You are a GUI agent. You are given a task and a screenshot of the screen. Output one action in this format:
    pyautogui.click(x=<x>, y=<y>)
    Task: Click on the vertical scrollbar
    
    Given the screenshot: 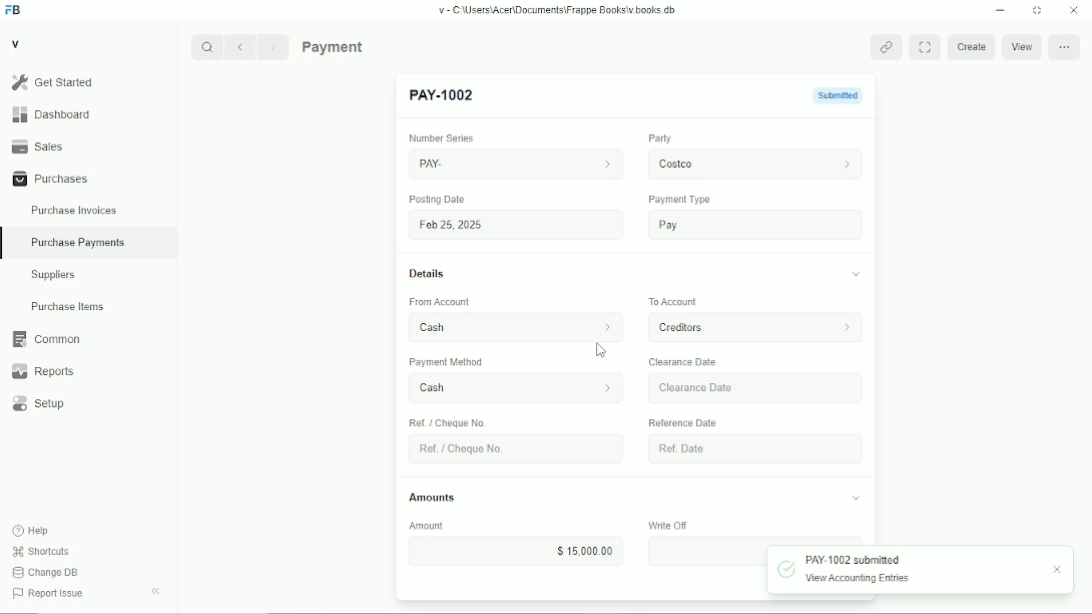 What is the action you would take?
    pyautogui.click(x=871, y=293)
    